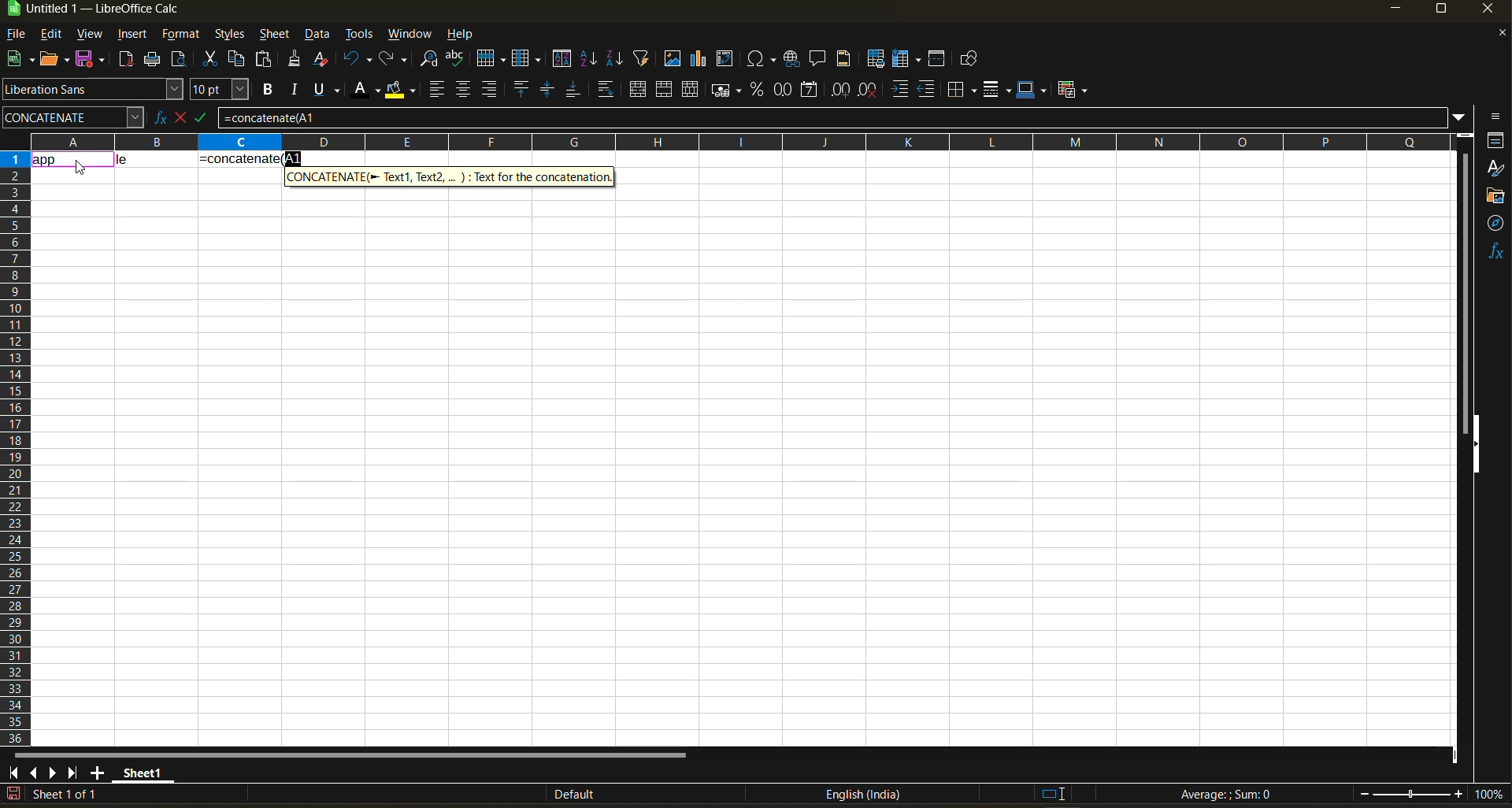 Image resolution: width=1512 pixels, height=808 pixels. I want to click on zoom slider, so click(1411, 795).